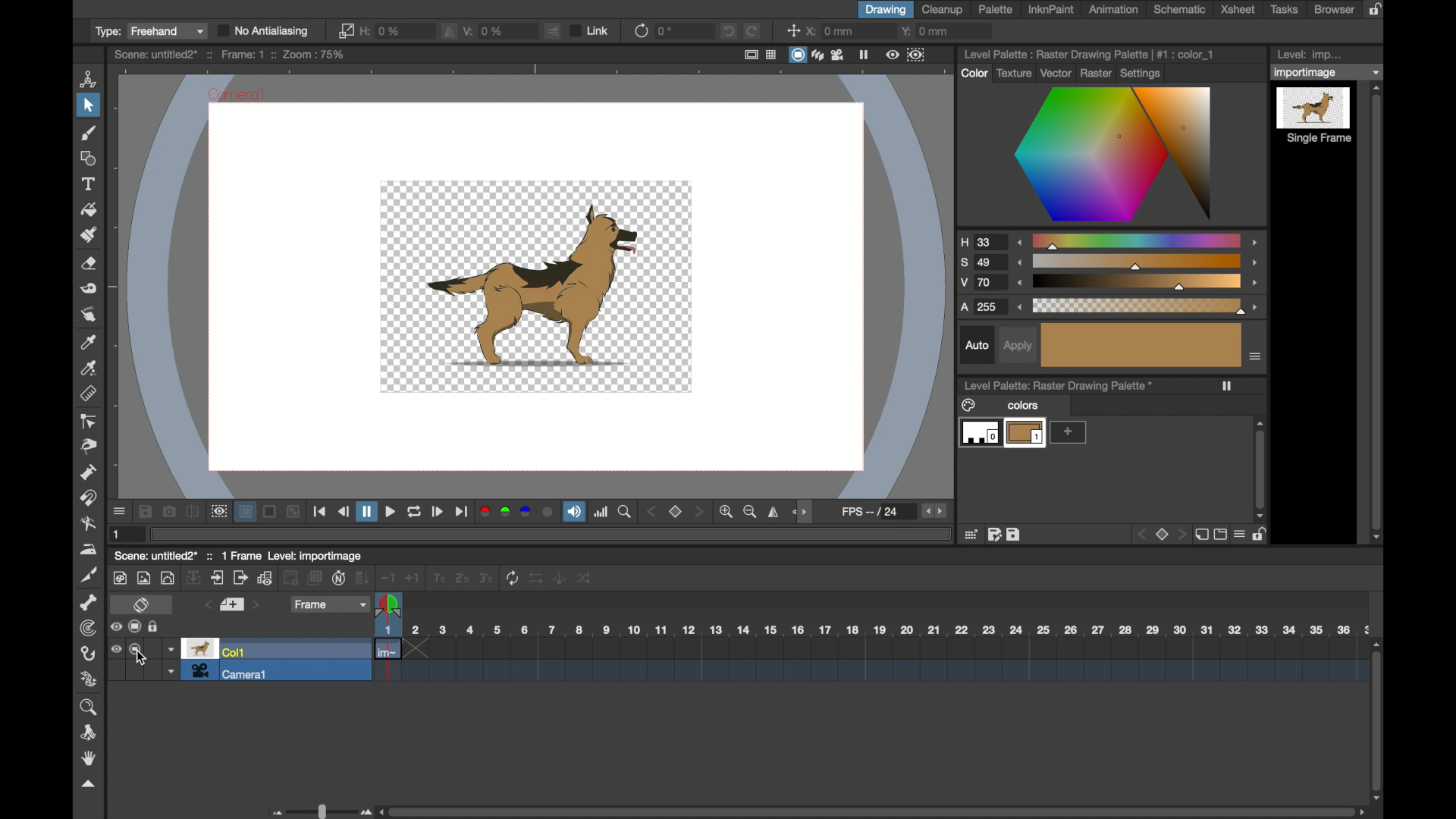 This screenshot has height=819, width=1456. I want to click on type tool, so click(88, 184).